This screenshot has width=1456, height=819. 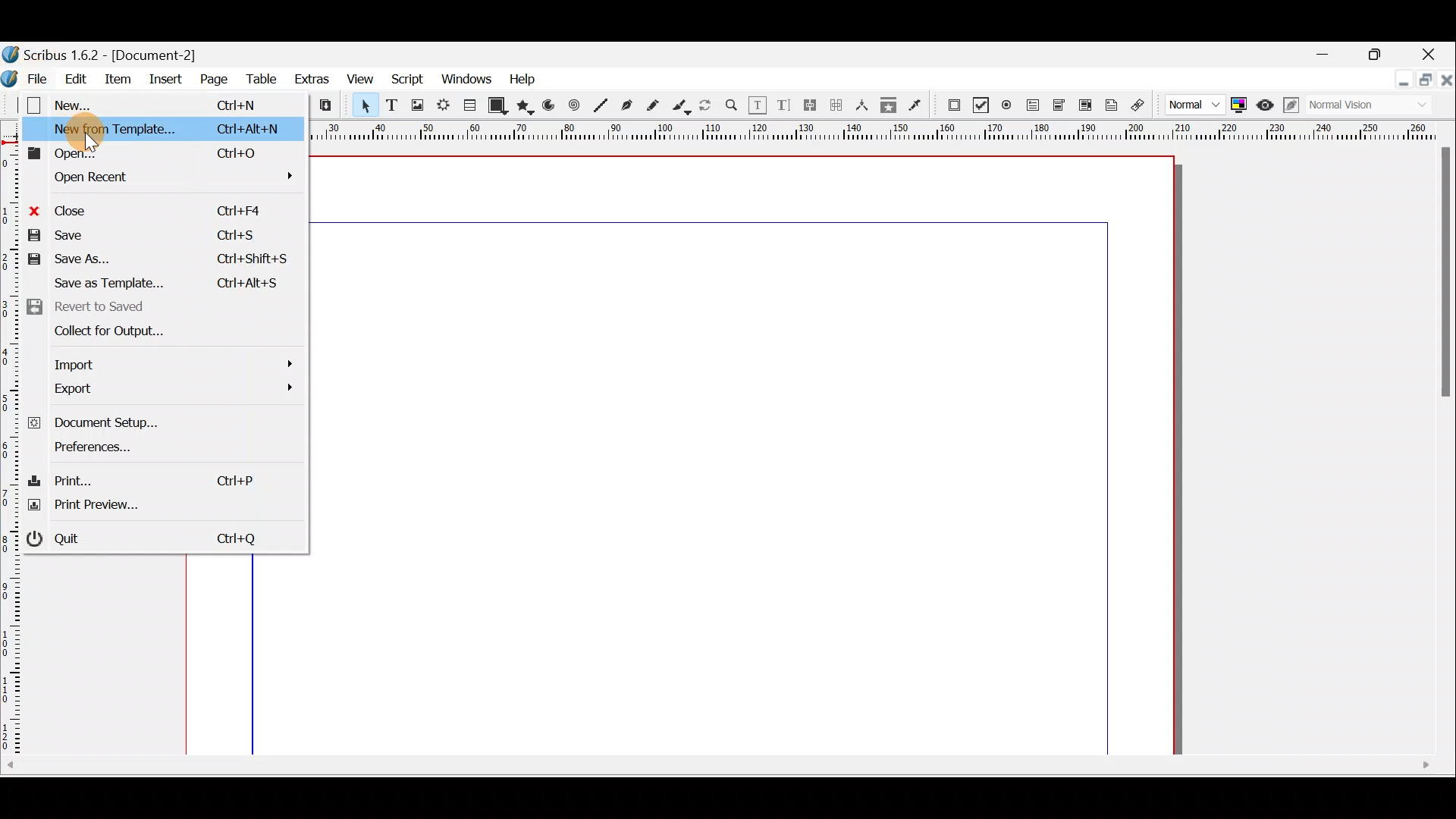 I want to click on Canvas, so click(x=755, y=454).